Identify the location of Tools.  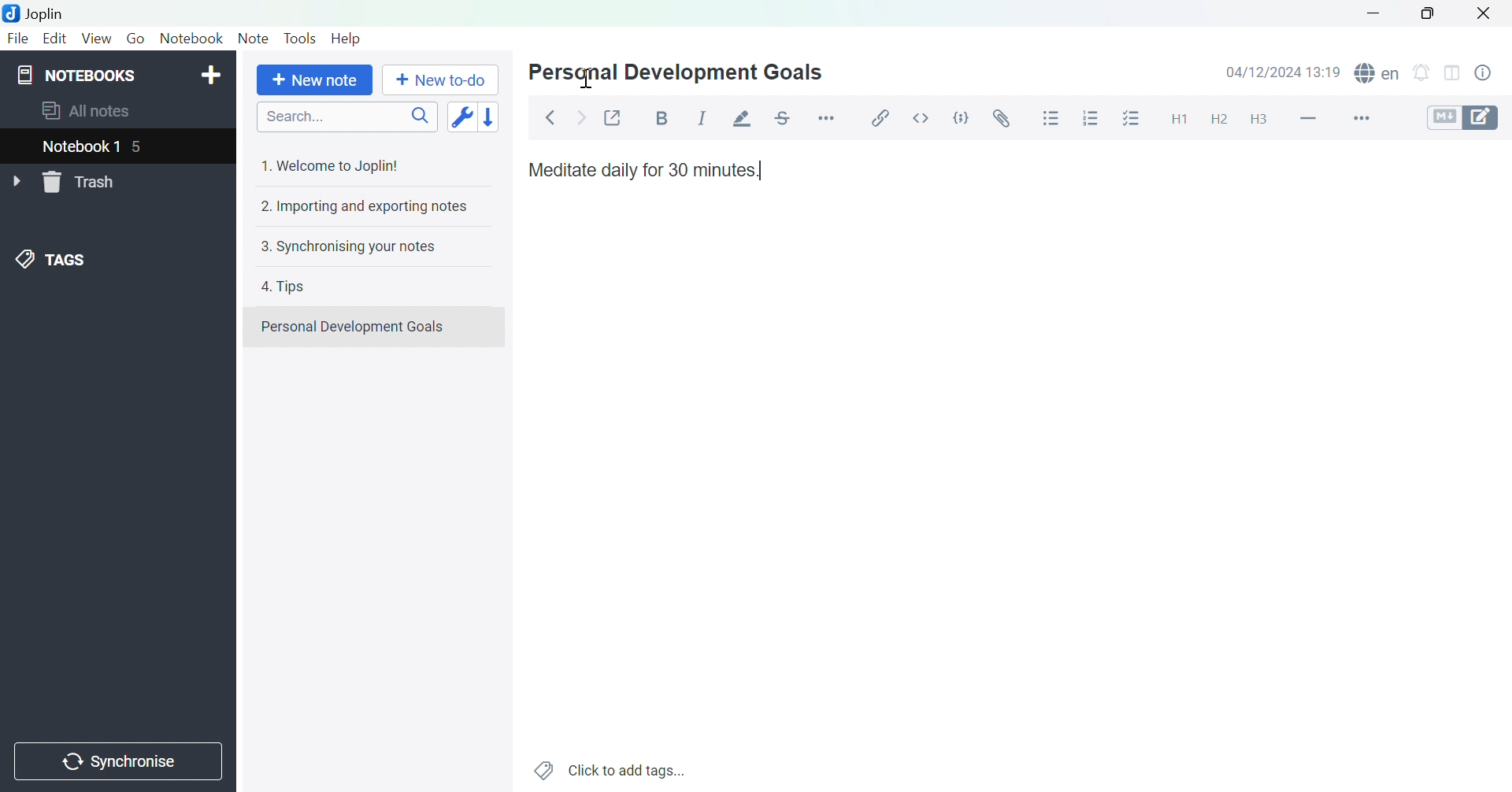
(302, 37).